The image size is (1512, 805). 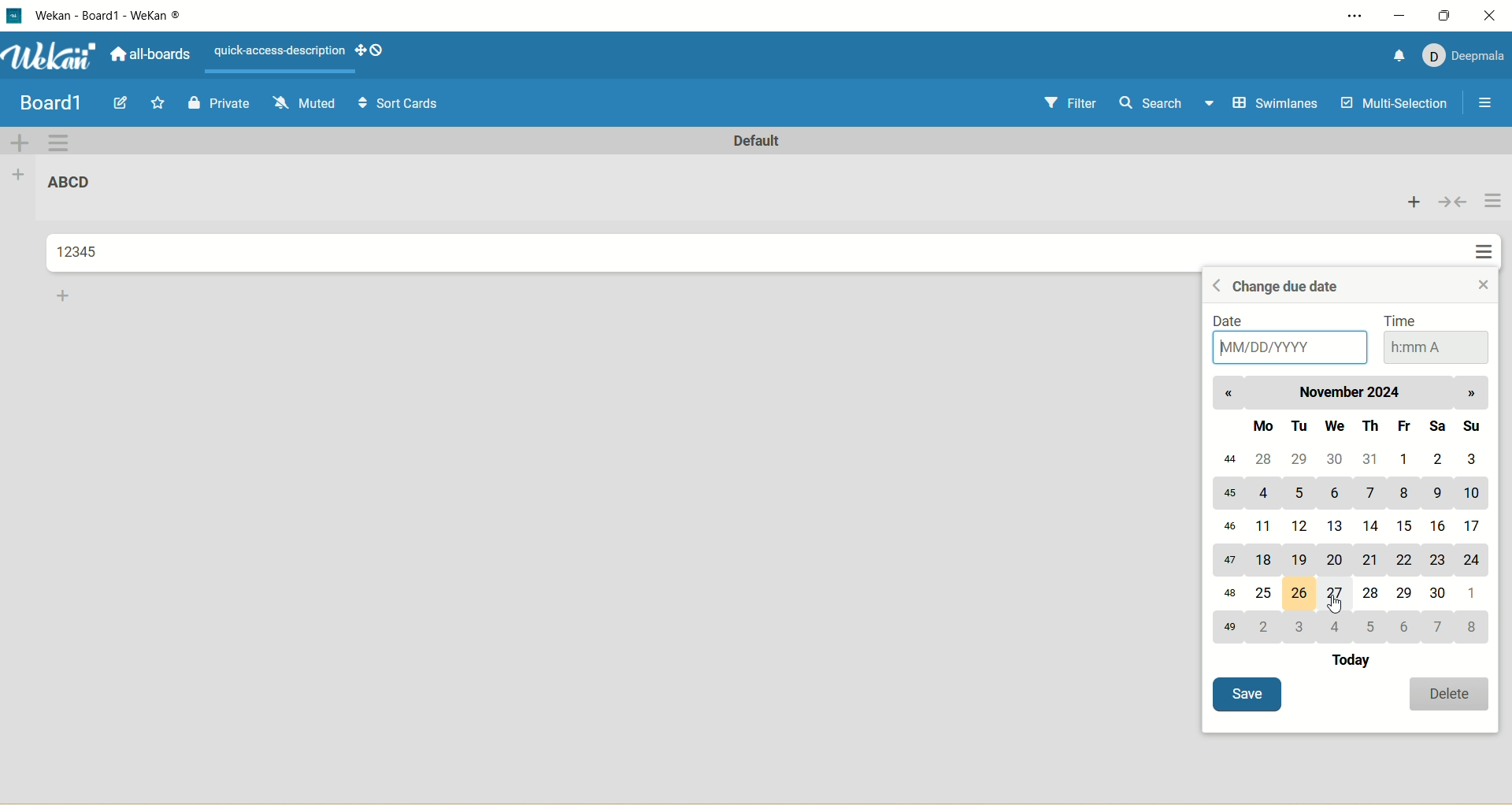 What do you see at coordinates (1358, 662) in the screenshot?
I see `today` at bounding box center [1358, 662].